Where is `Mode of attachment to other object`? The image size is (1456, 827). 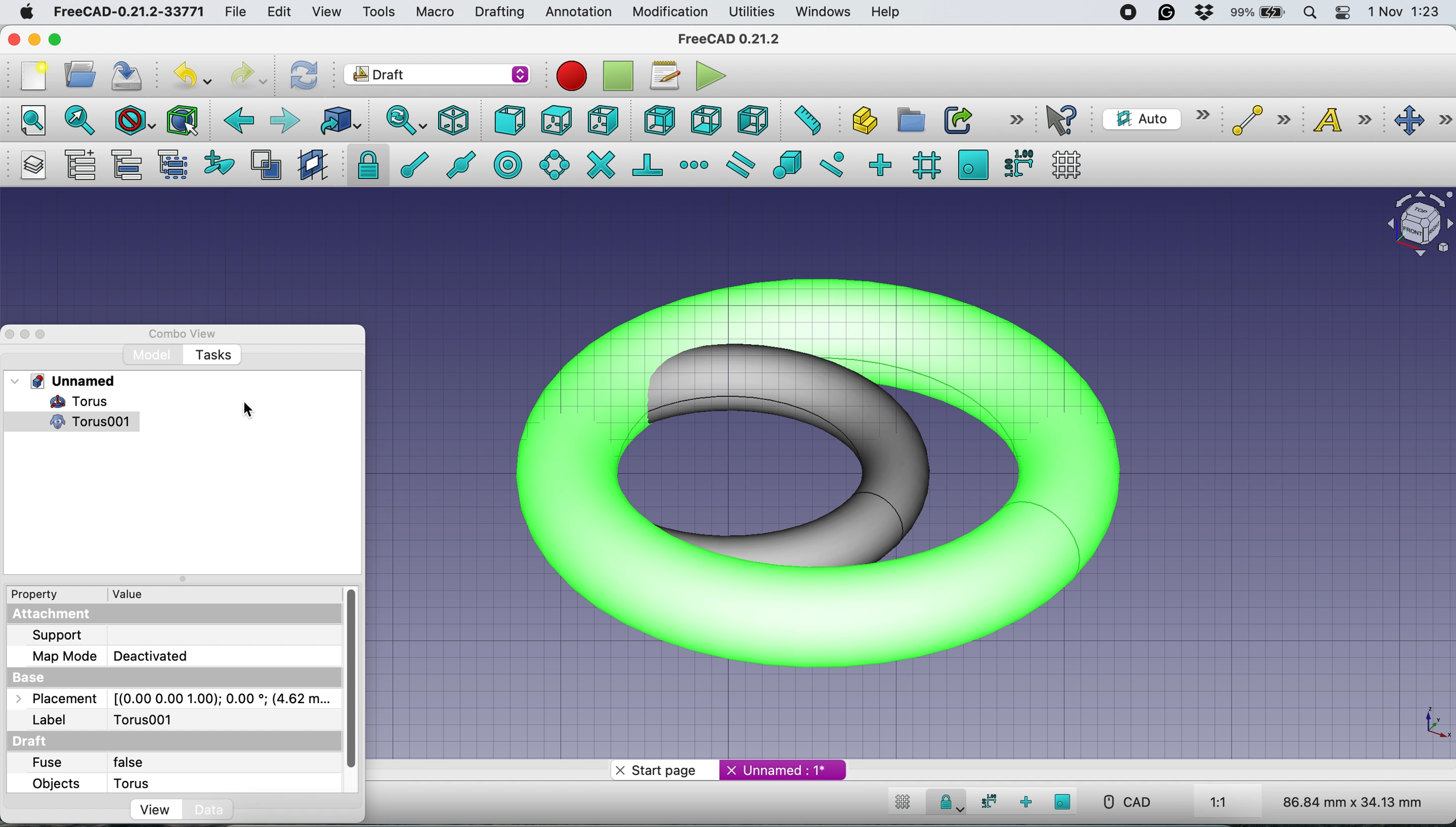
Mode of attachment to other object is located at coordinates (223, 656).